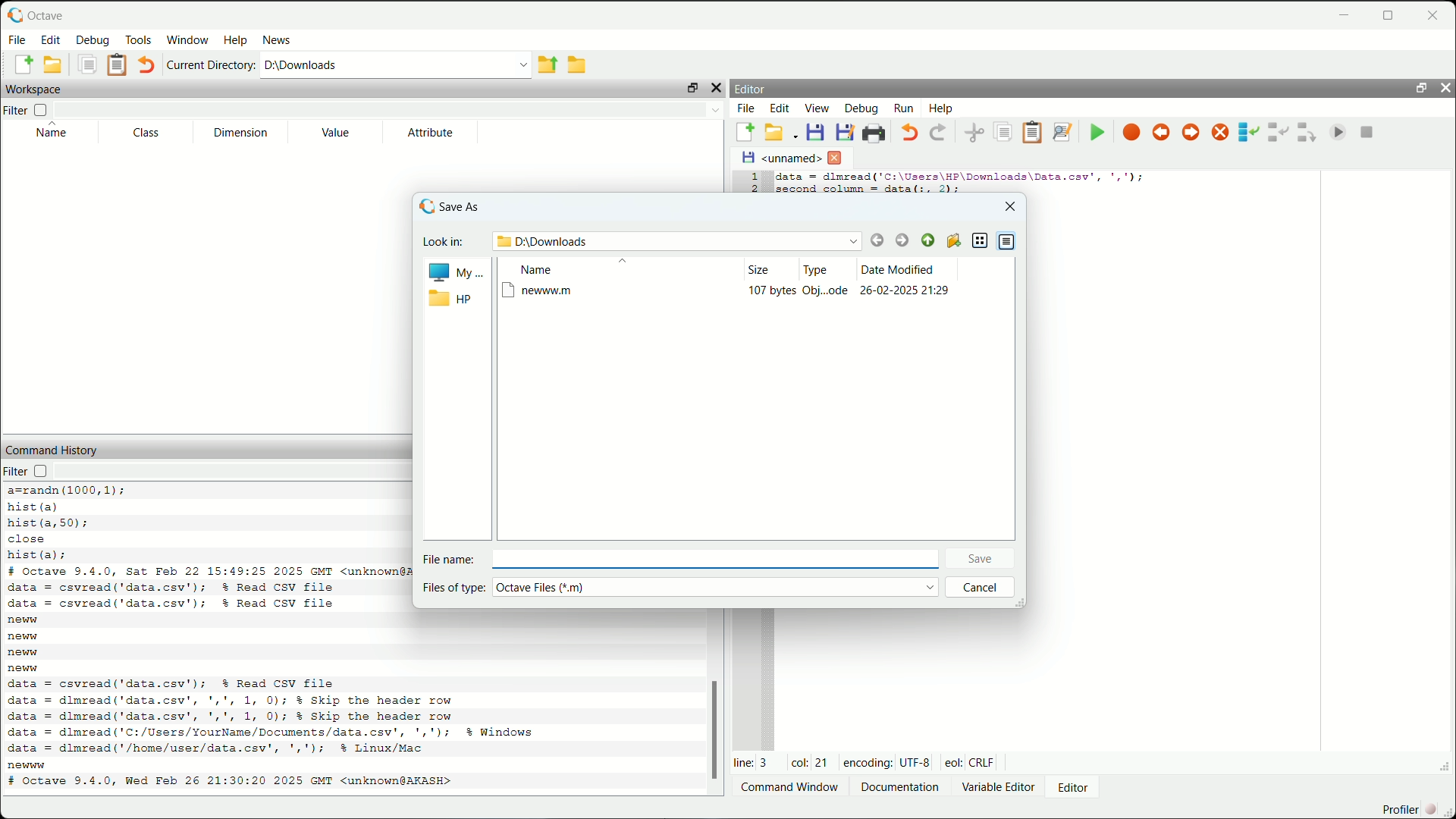 The height and width of the screenshot is (819, 1456). I want to click on line: 3, so click(748, 761).